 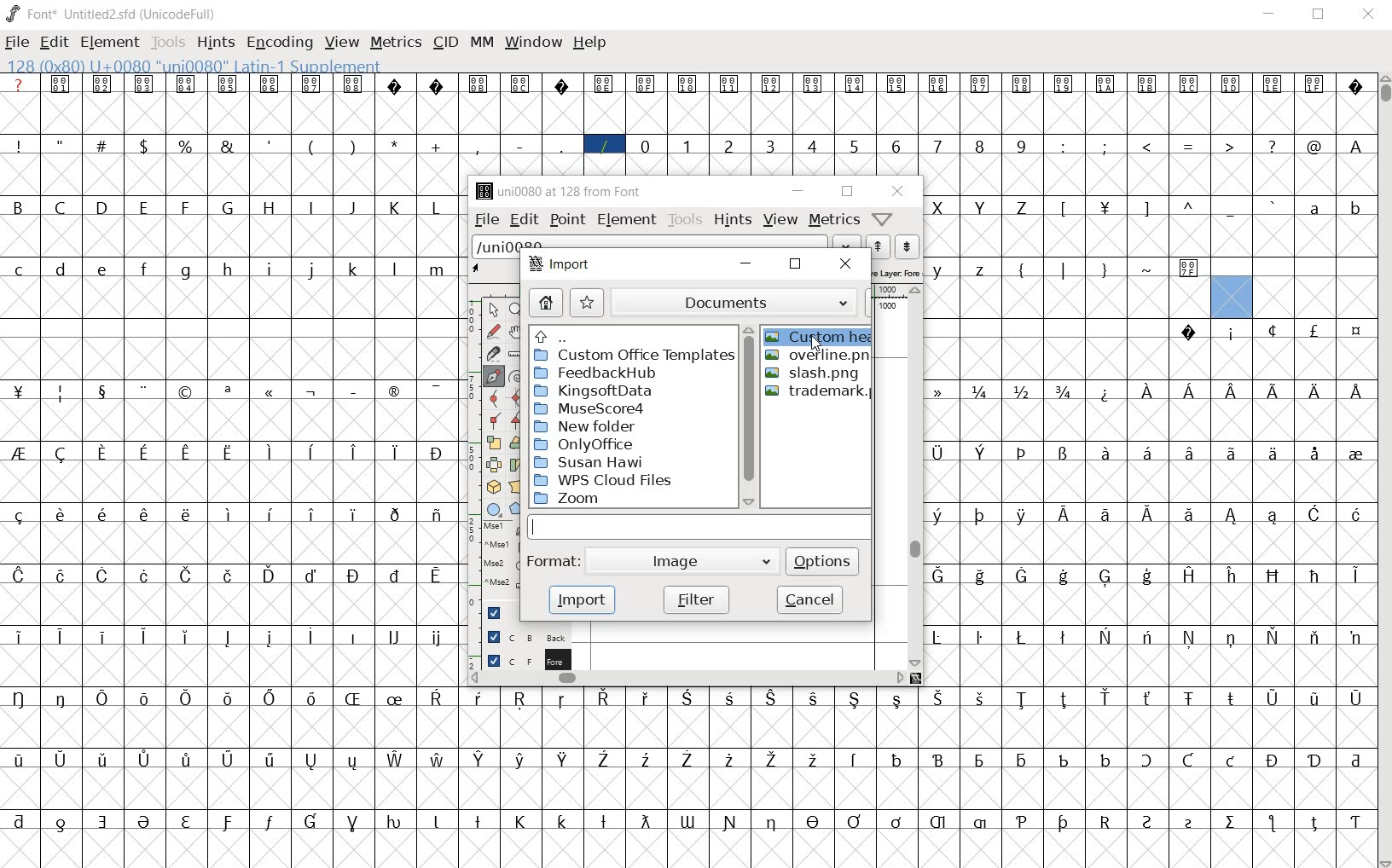 What do you see at coordinates (1105, 146) in the screenshot?
I see `glyph` at bounding box center [1105, 146].